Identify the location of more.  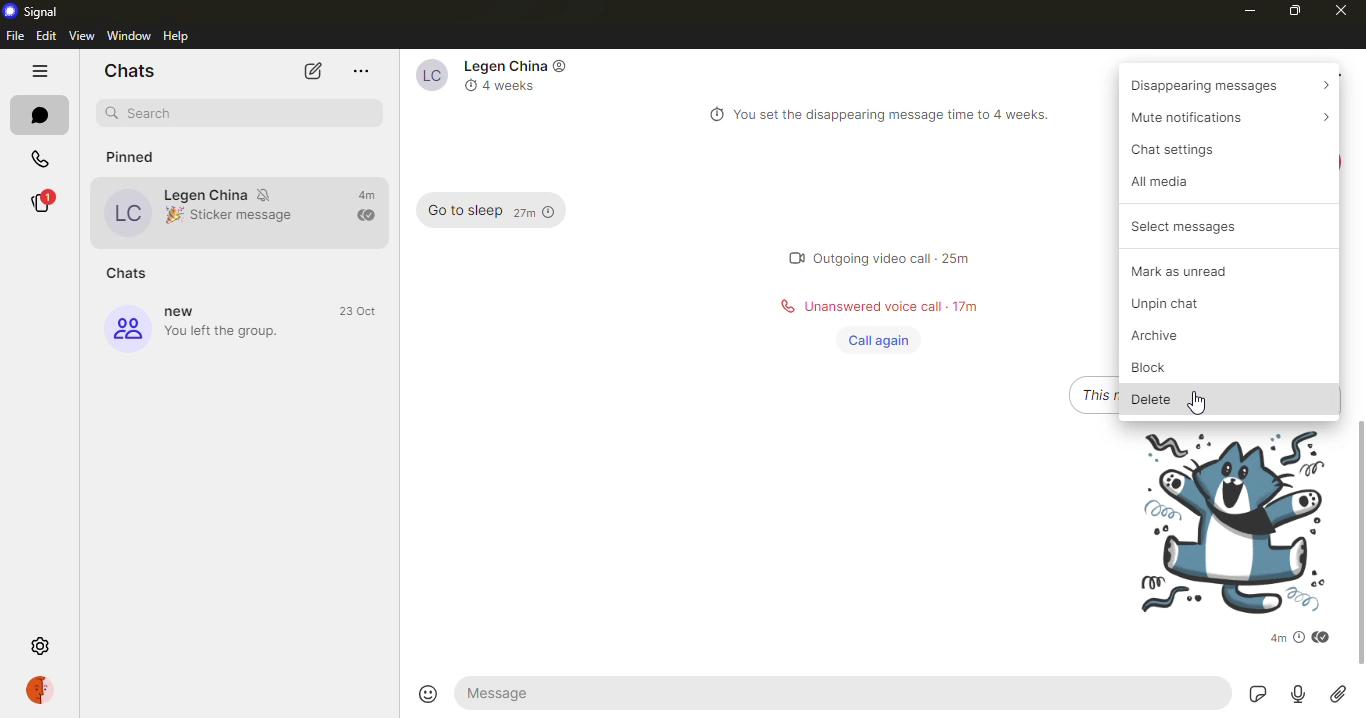
(361, 72).